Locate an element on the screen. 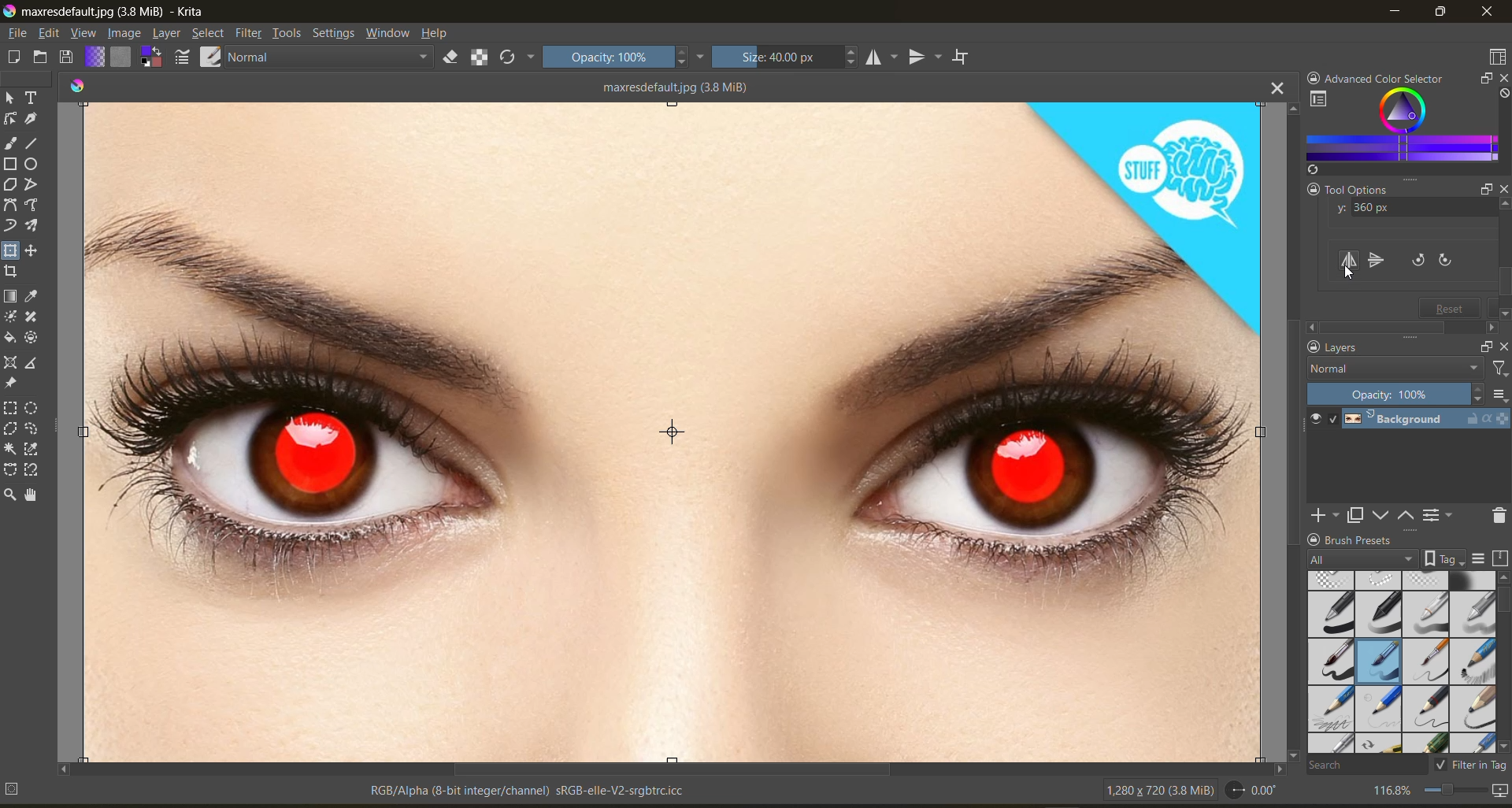 The height and width of the screenshot is (808, 1512). show tag box is located at coordinates (1445, 558).